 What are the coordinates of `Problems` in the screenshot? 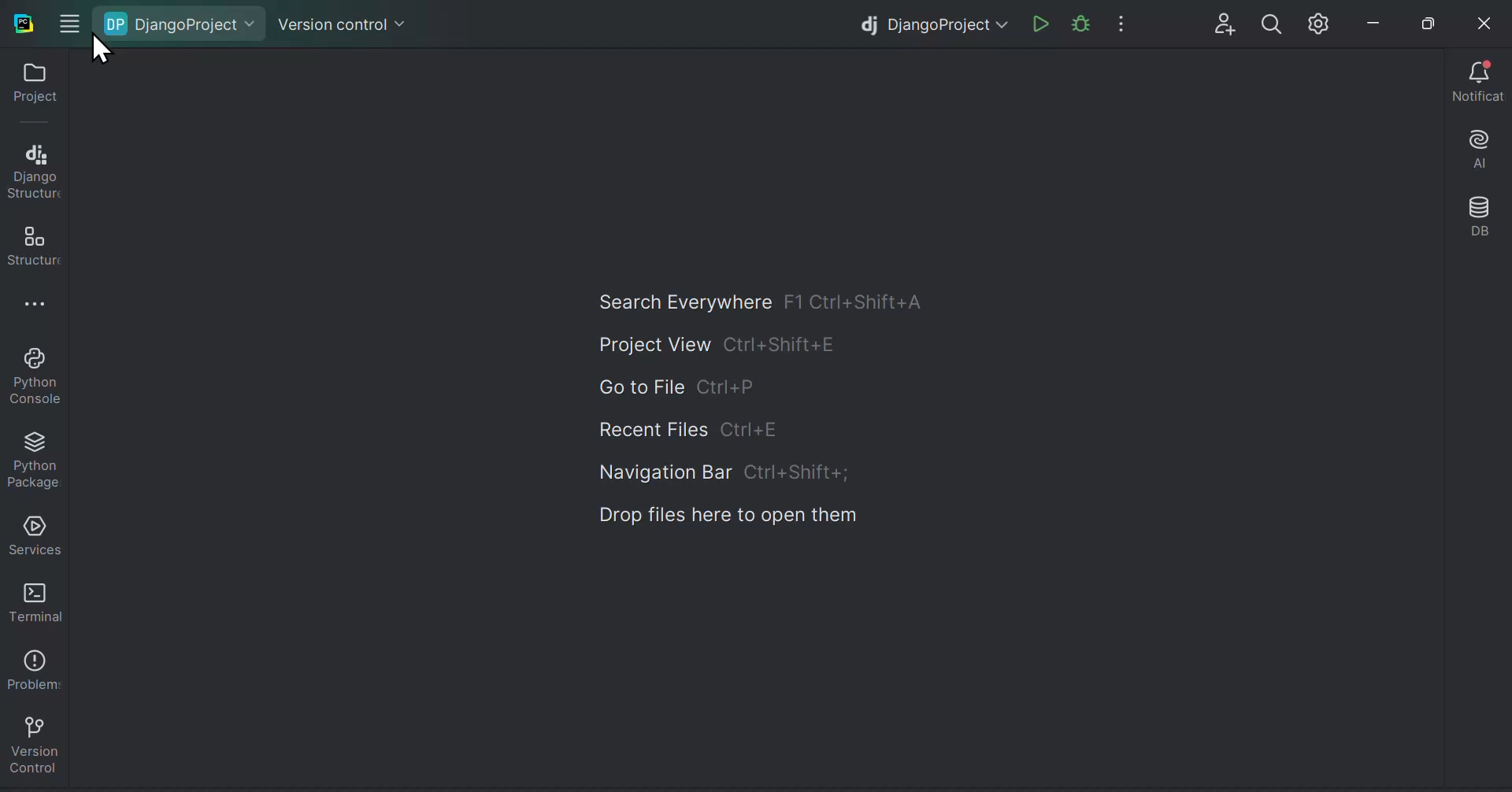 It's located at (31, 664).